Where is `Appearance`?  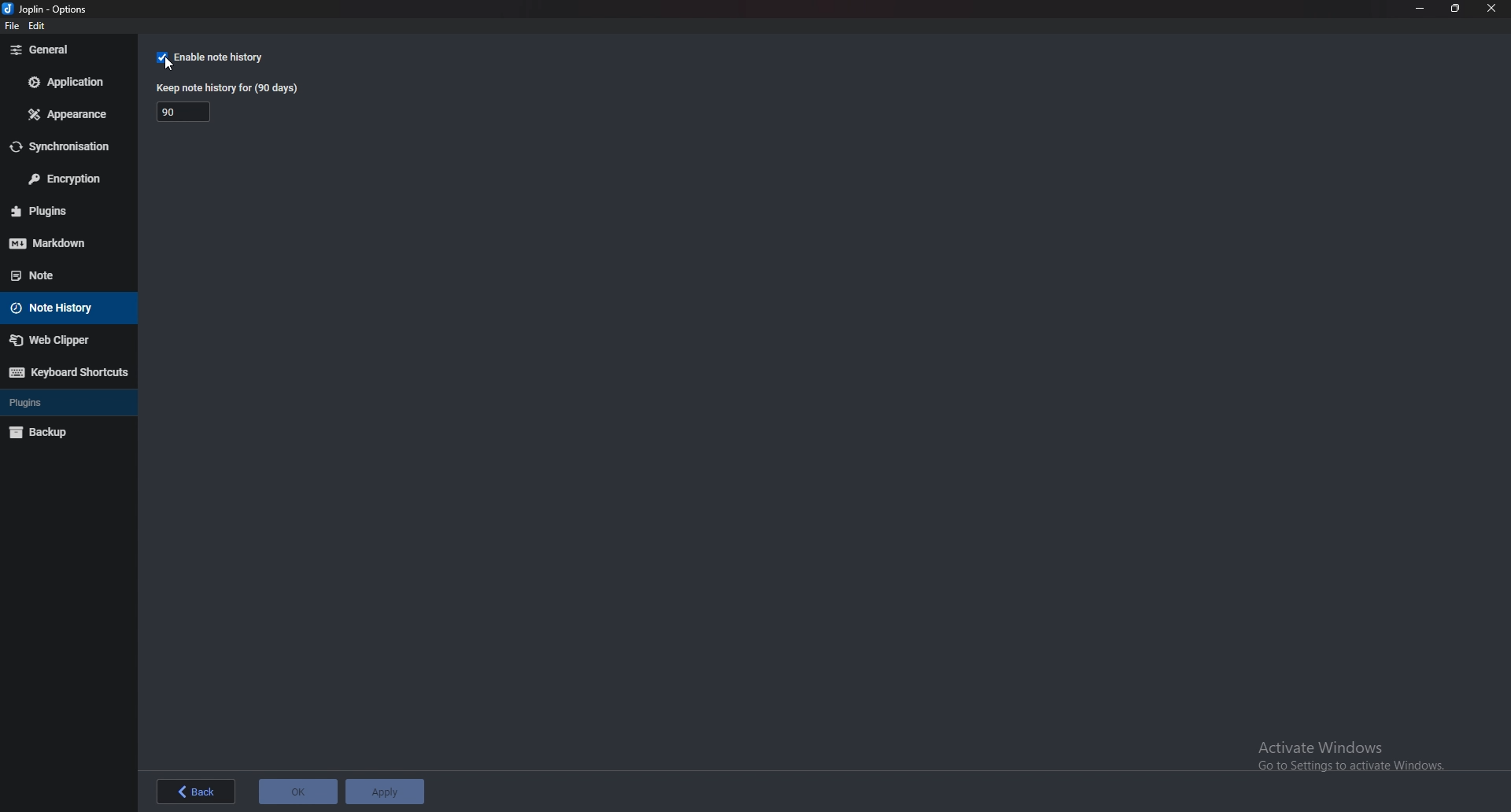 Appearance is located at coordinates (70, 114).